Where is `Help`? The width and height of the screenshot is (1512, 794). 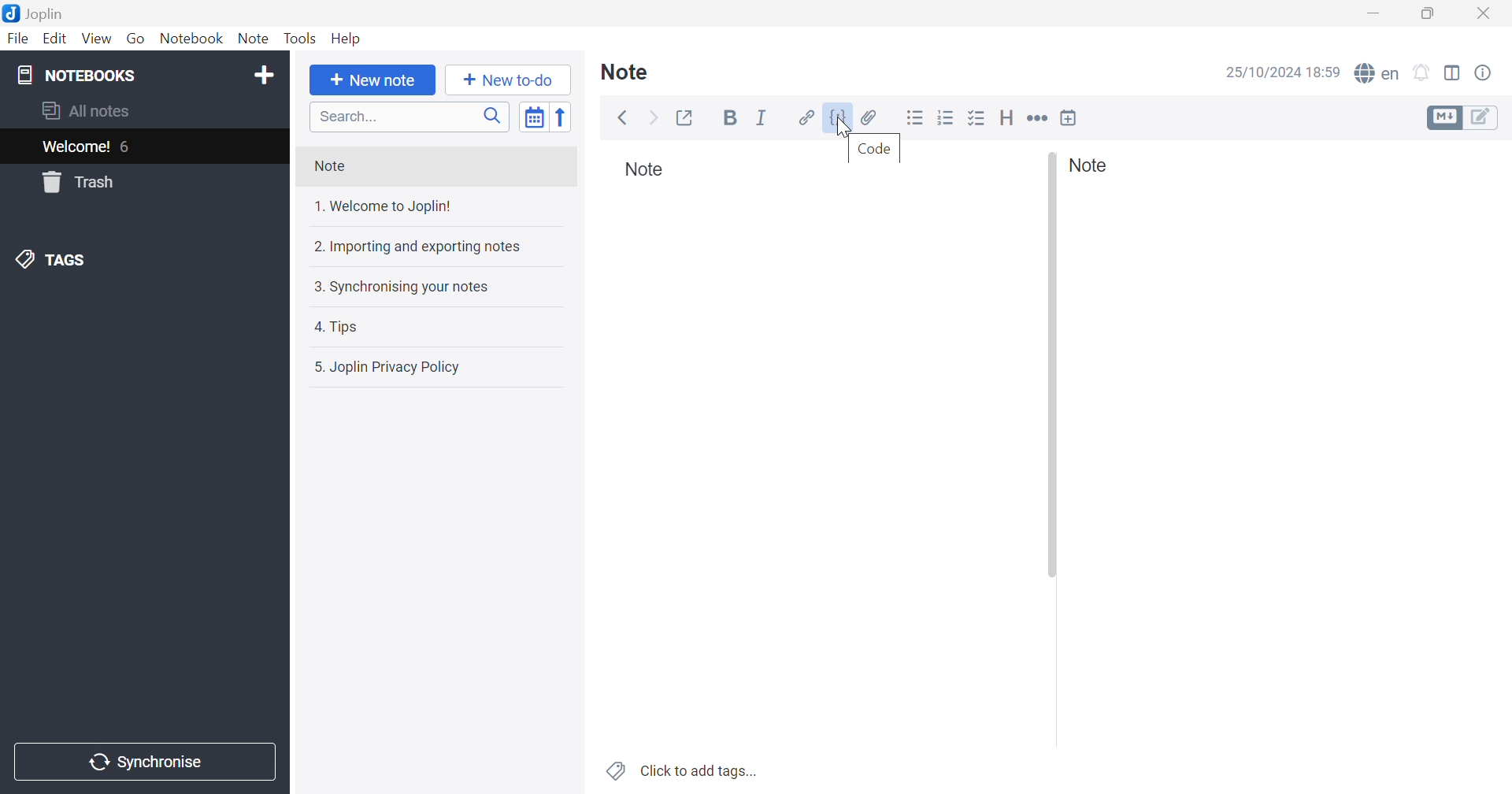
Help is located at coordinates (354, 39).